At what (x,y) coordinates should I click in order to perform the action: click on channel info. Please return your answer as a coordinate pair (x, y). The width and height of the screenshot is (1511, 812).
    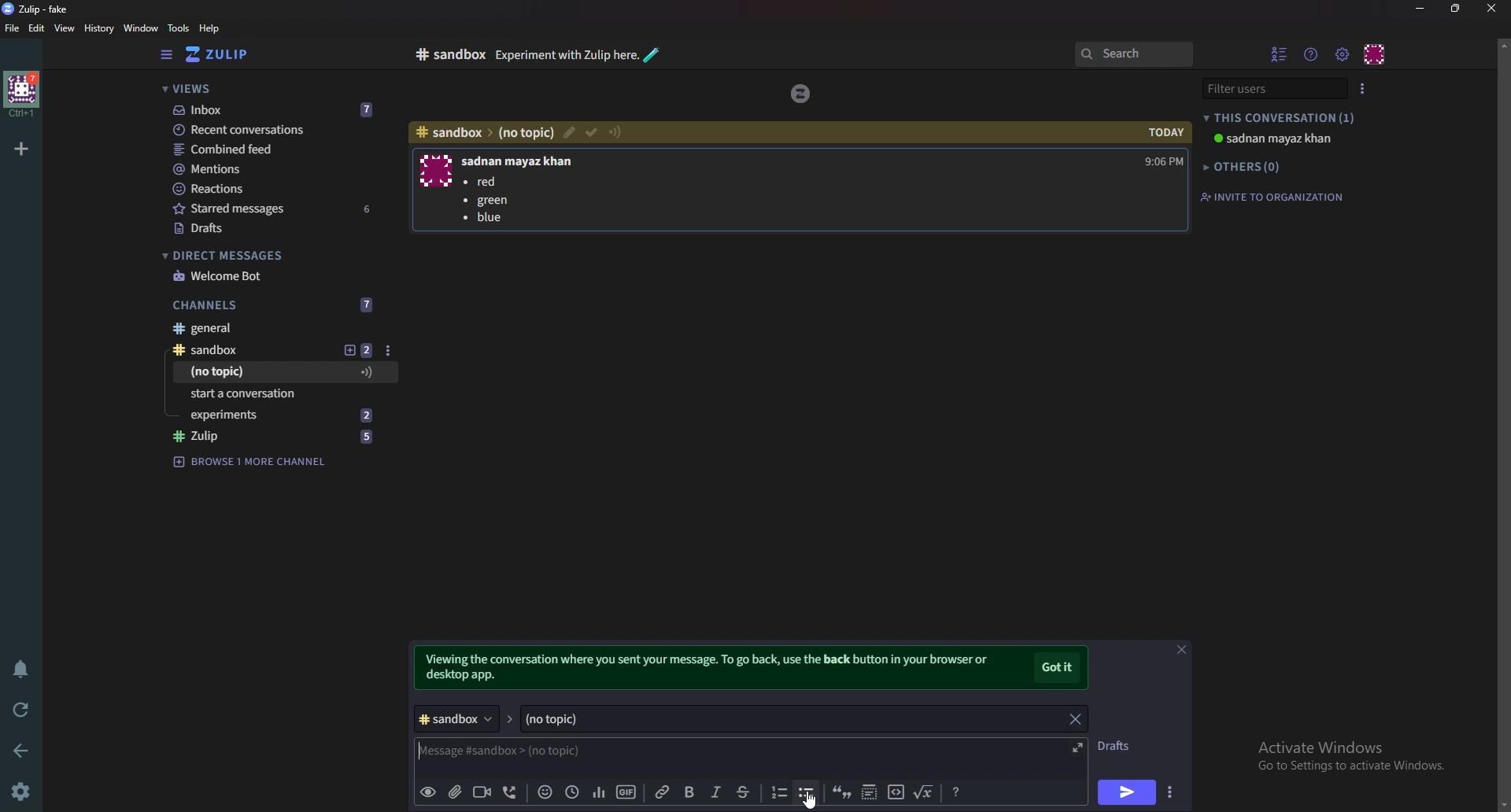
    Looking at the image, I should click on (582, 53).